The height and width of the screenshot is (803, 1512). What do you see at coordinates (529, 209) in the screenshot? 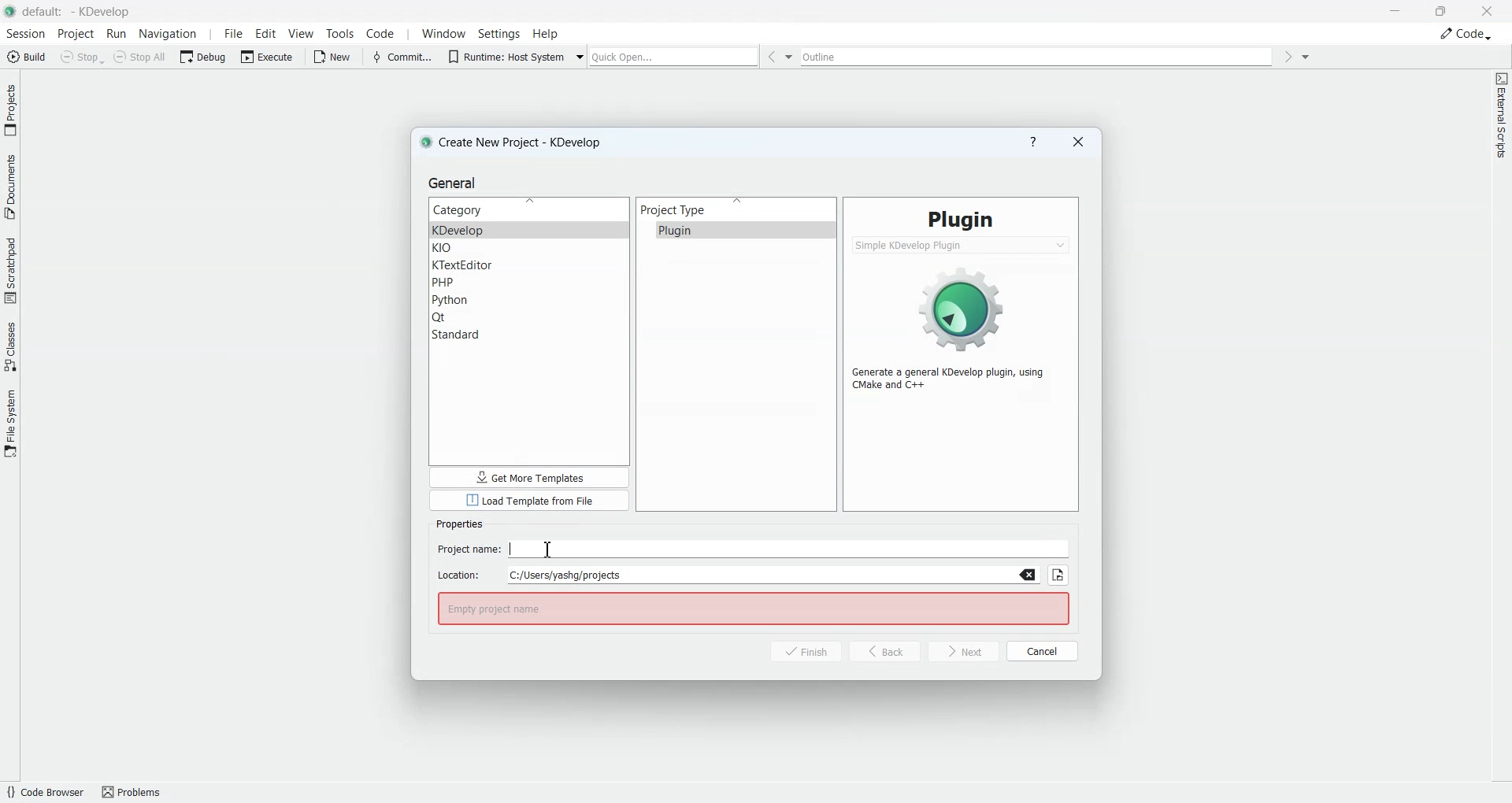
I see `General Category` at bounding box center [529, 209].